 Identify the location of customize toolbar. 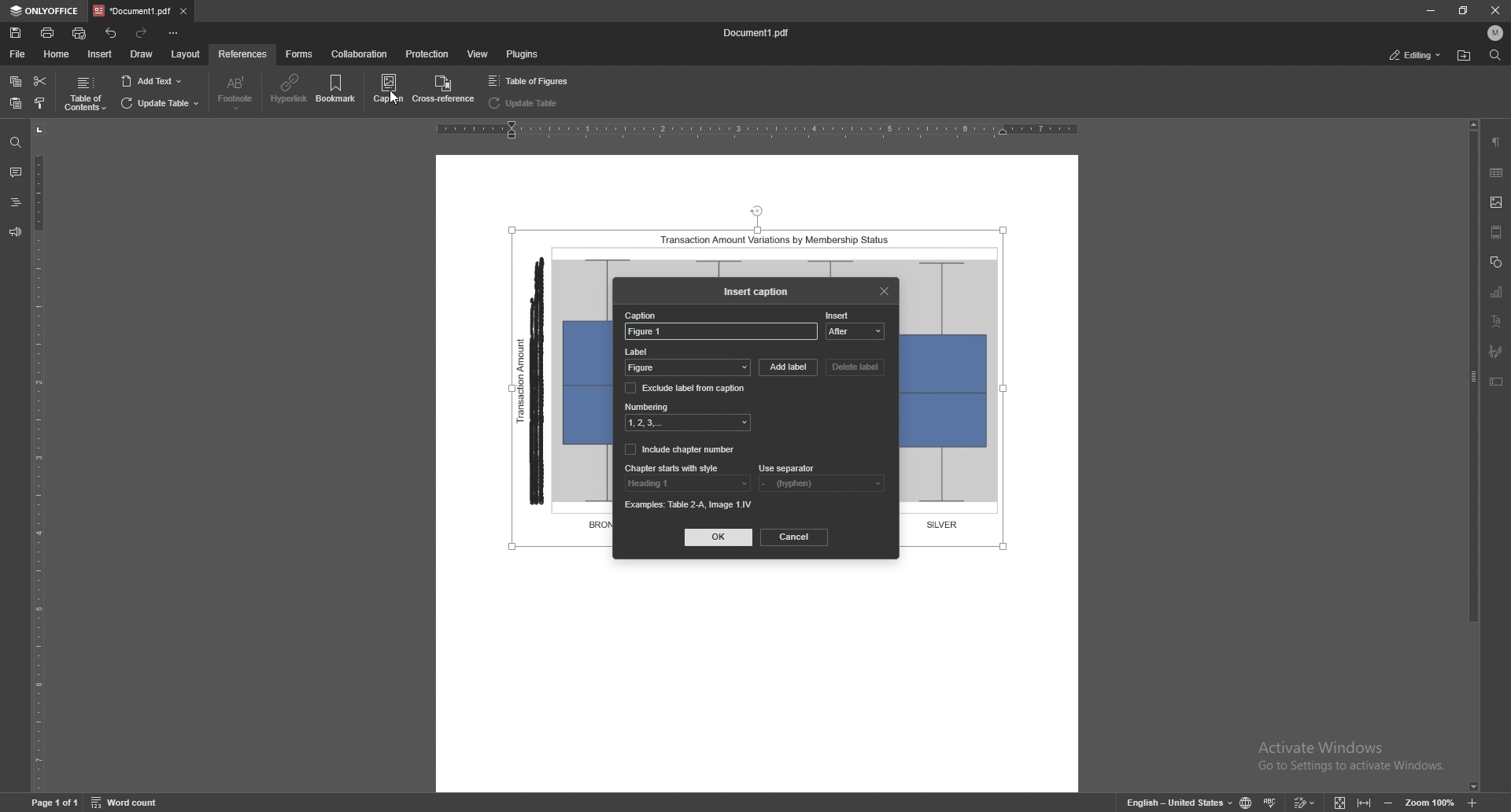
(172, 33).